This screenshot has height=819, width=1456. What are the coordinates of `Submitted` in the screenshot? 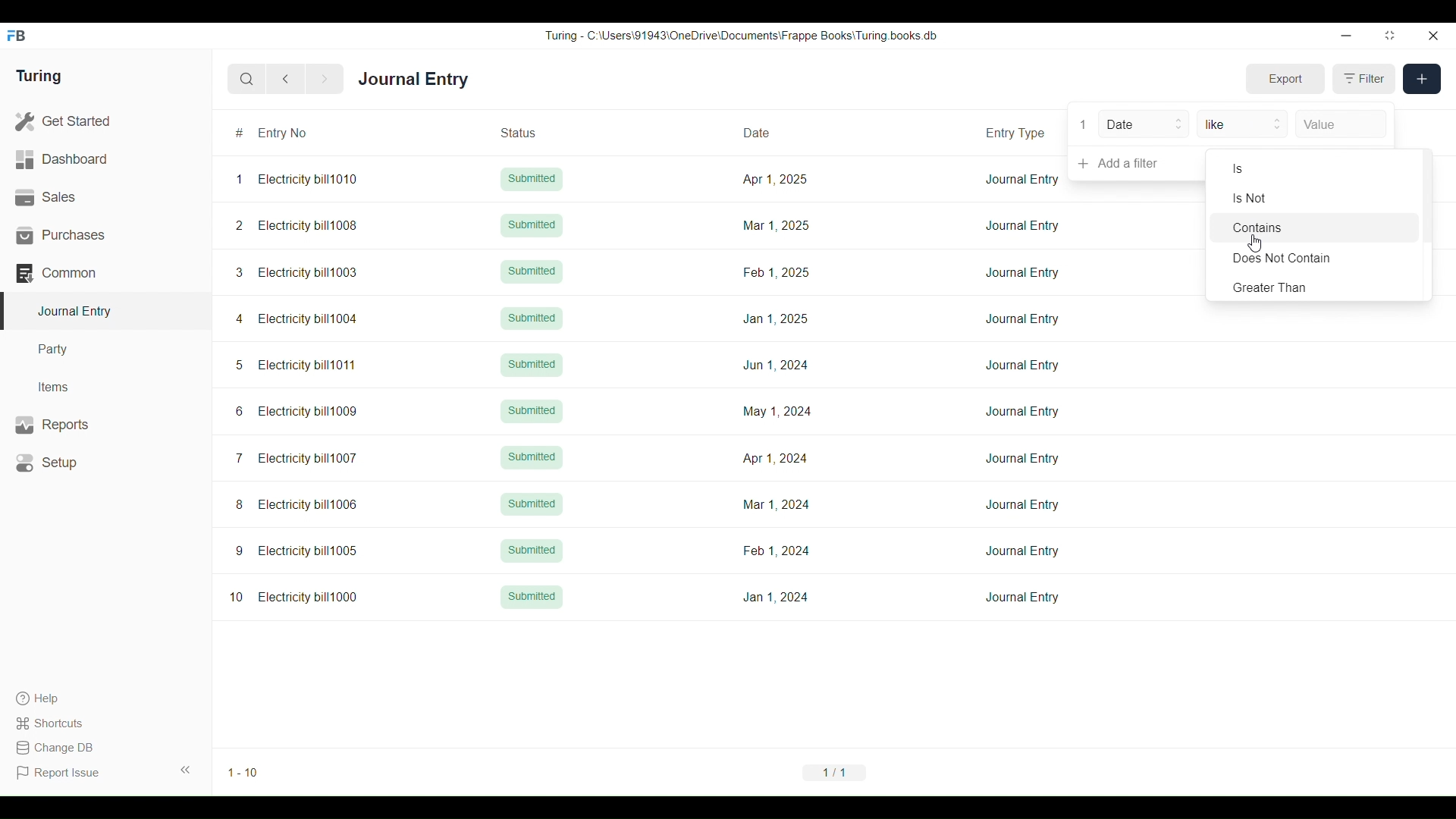 It's located at (532, 225).